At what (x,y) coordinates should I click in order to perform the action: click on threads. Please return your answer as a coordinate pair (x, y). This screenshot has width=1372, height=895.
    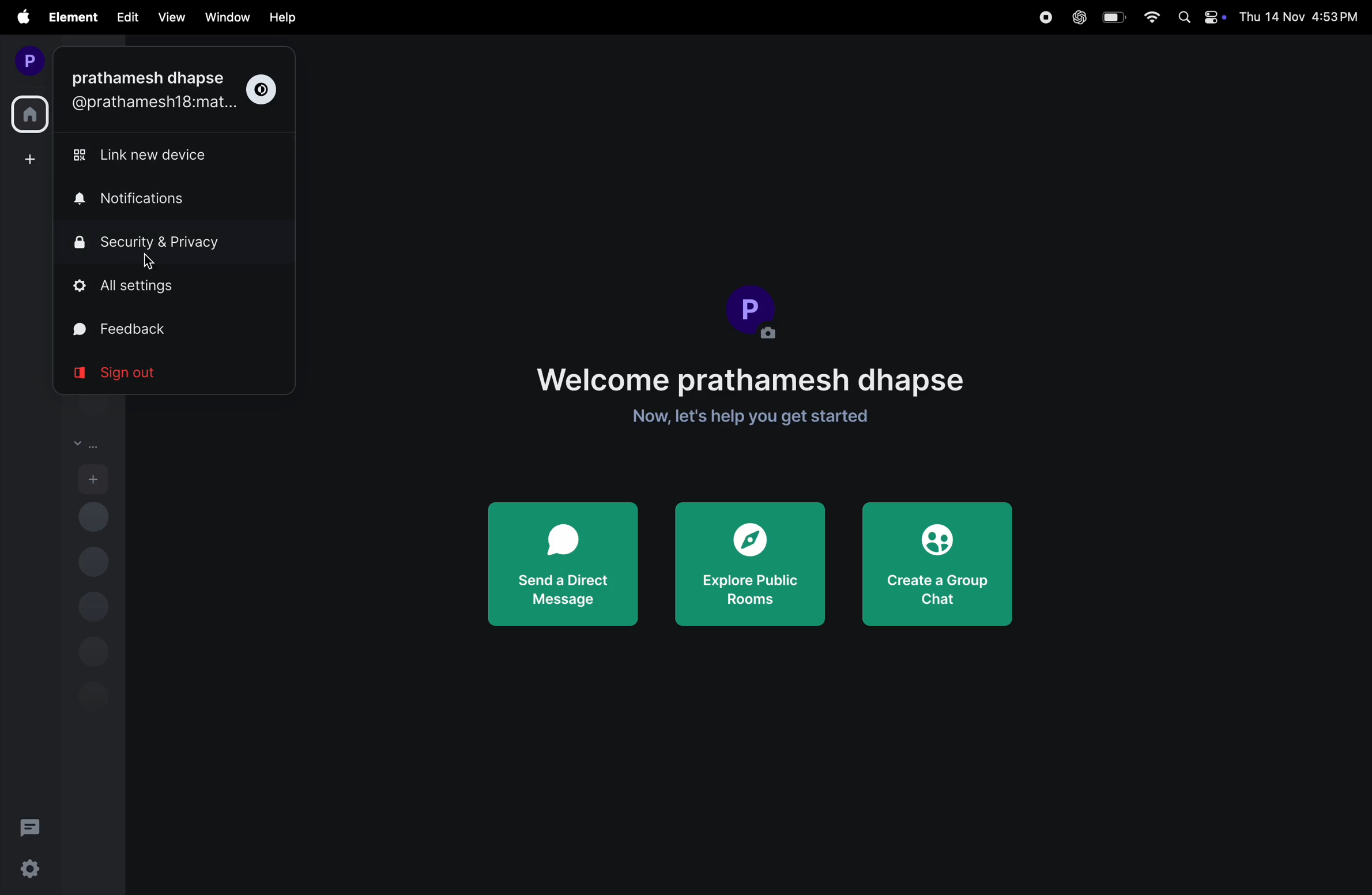
    Looking at the image, I should click on (31, 826).